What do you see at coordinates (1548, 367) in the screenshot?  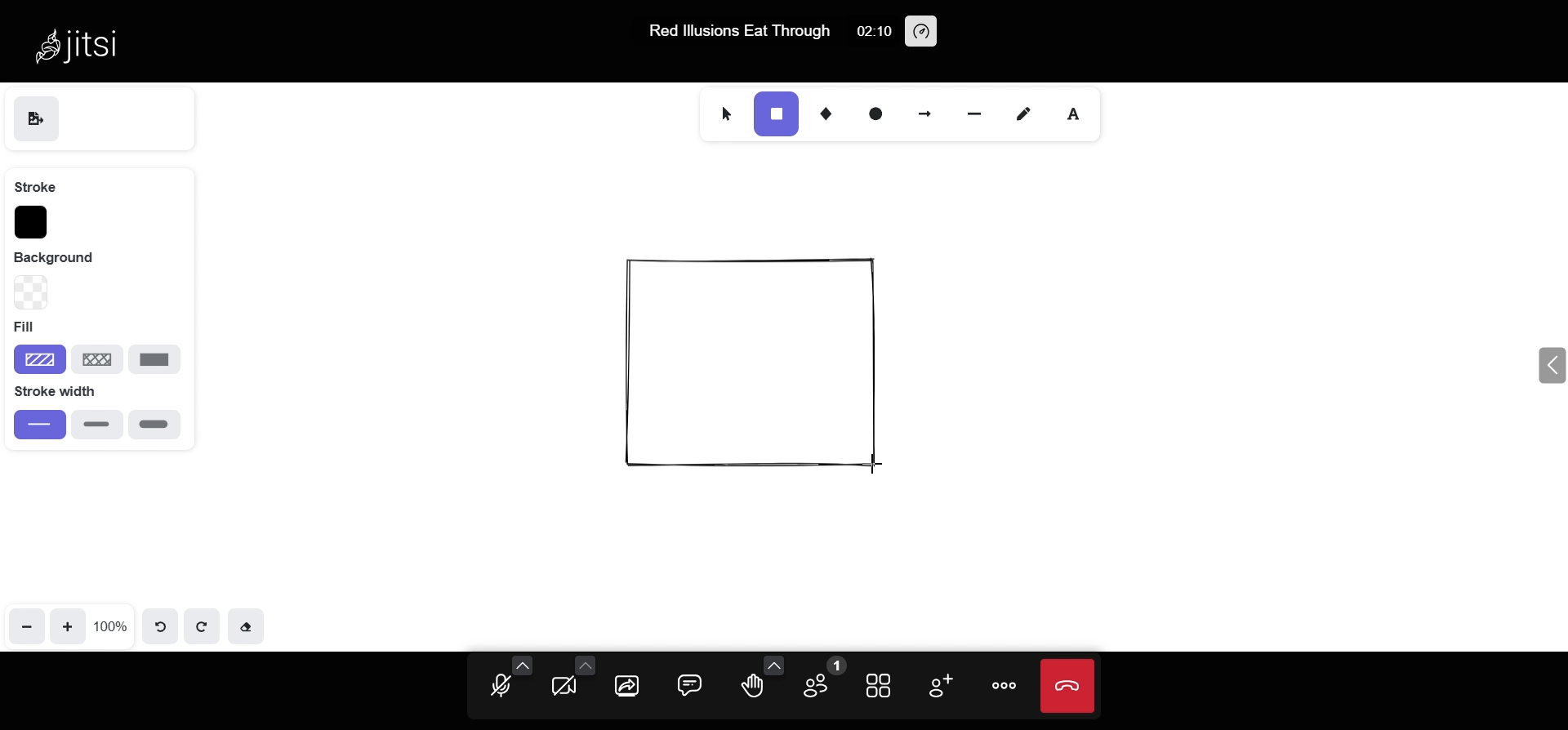 I see `expand` at bounding box center [1548, 367].